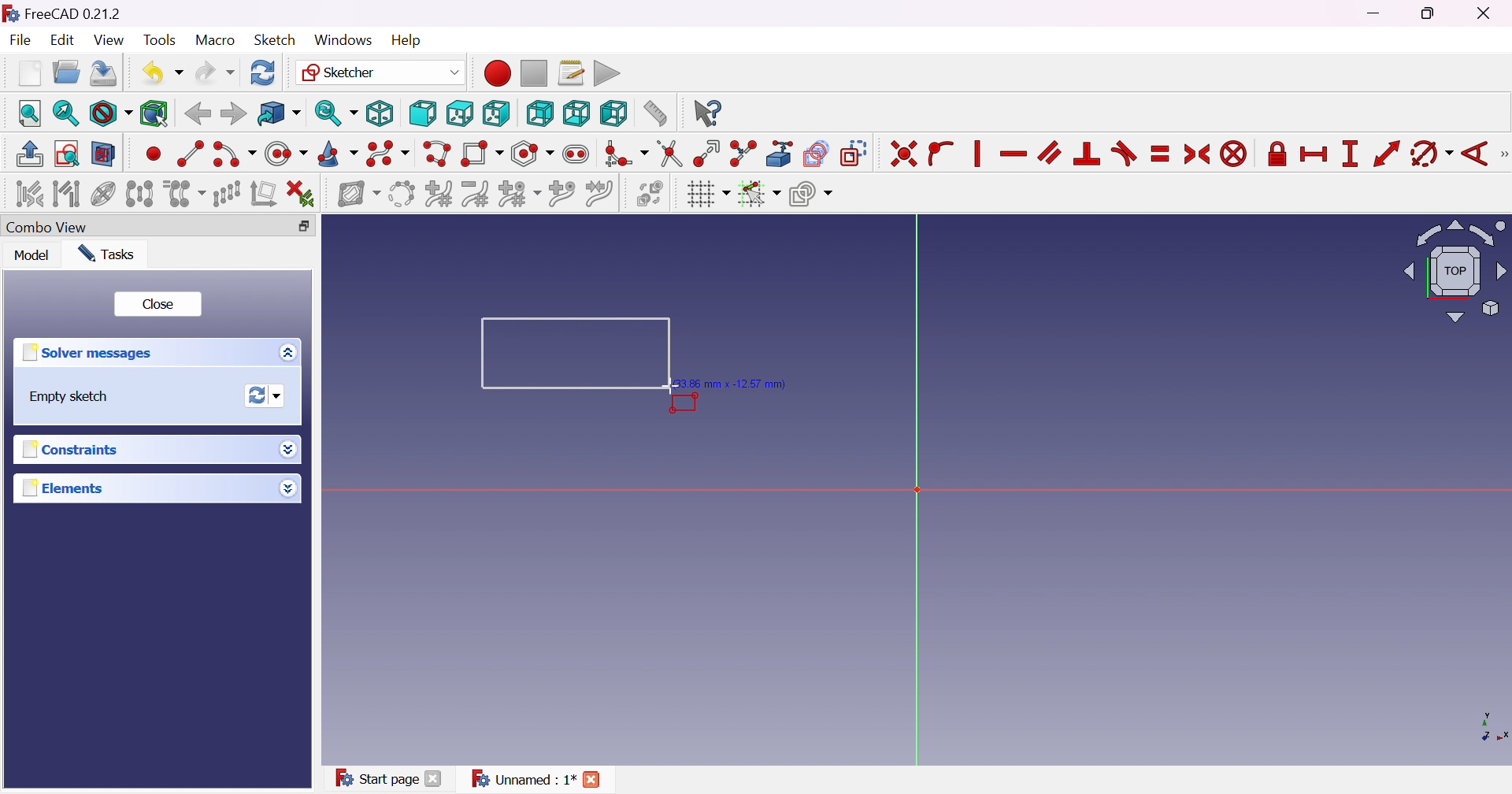 This screenshot has height=794, width=1512. Describe the element at coordinates (1451, 270) in the screenshot. I see `Viewing angle` at that location.